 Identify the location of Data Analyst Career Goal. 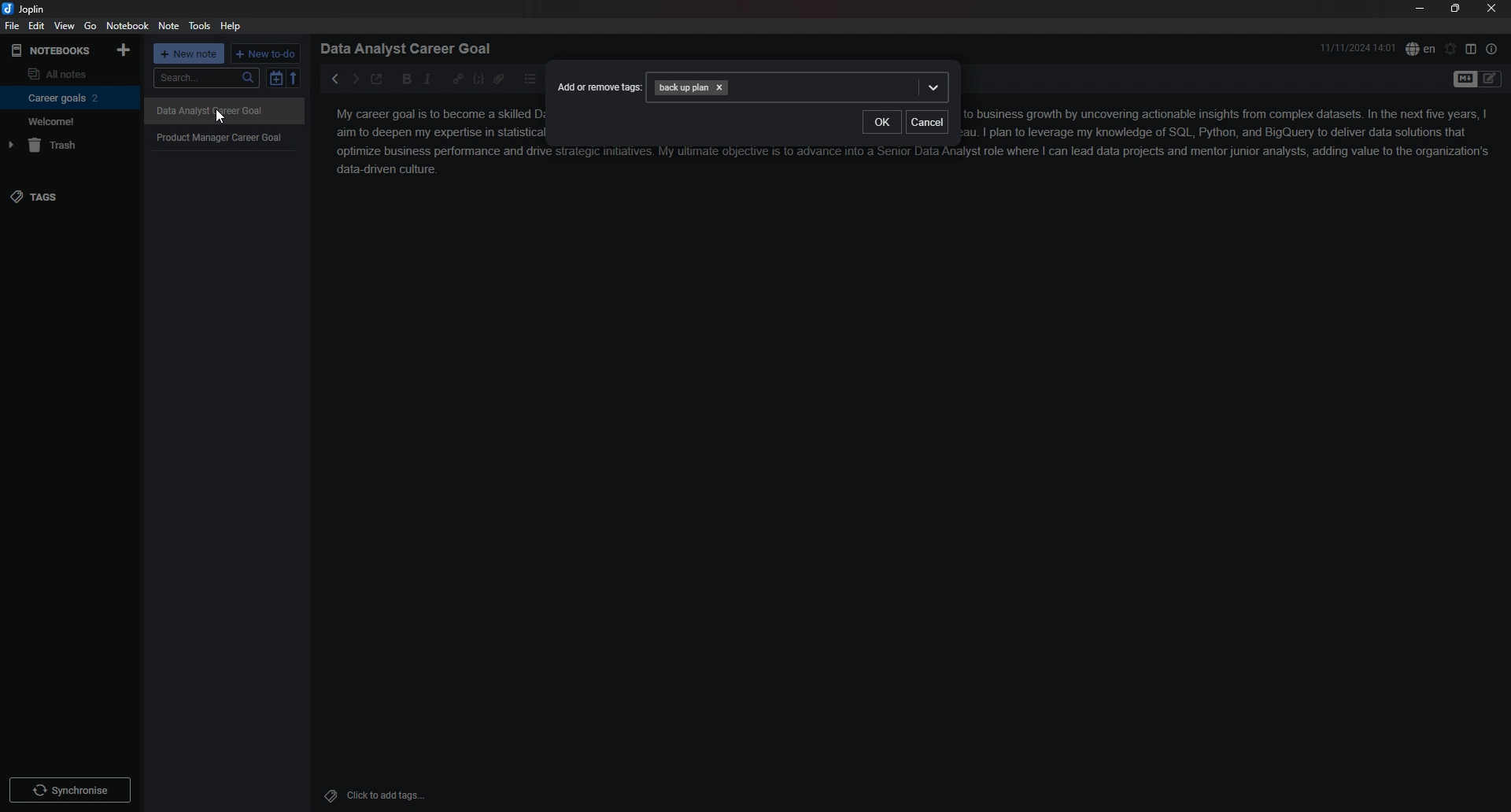
(224, 112).